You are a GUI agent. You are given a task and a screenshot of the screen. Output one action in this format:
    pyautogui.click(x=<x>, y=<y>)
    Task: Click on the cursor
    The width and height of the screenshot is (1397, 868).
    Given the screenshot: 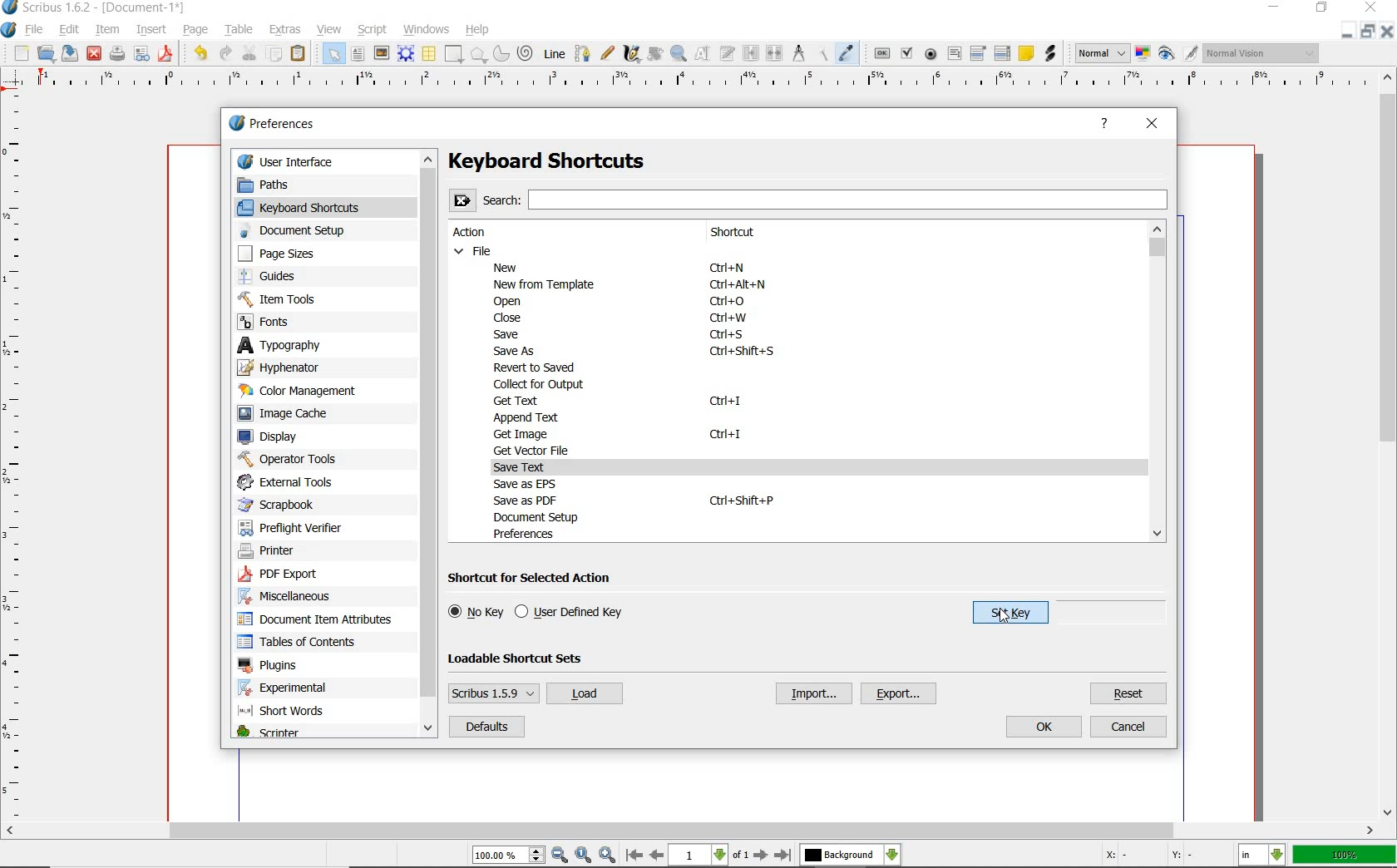 What is the action you would take?
    pyautogui.click(x=1004, y=619)
    